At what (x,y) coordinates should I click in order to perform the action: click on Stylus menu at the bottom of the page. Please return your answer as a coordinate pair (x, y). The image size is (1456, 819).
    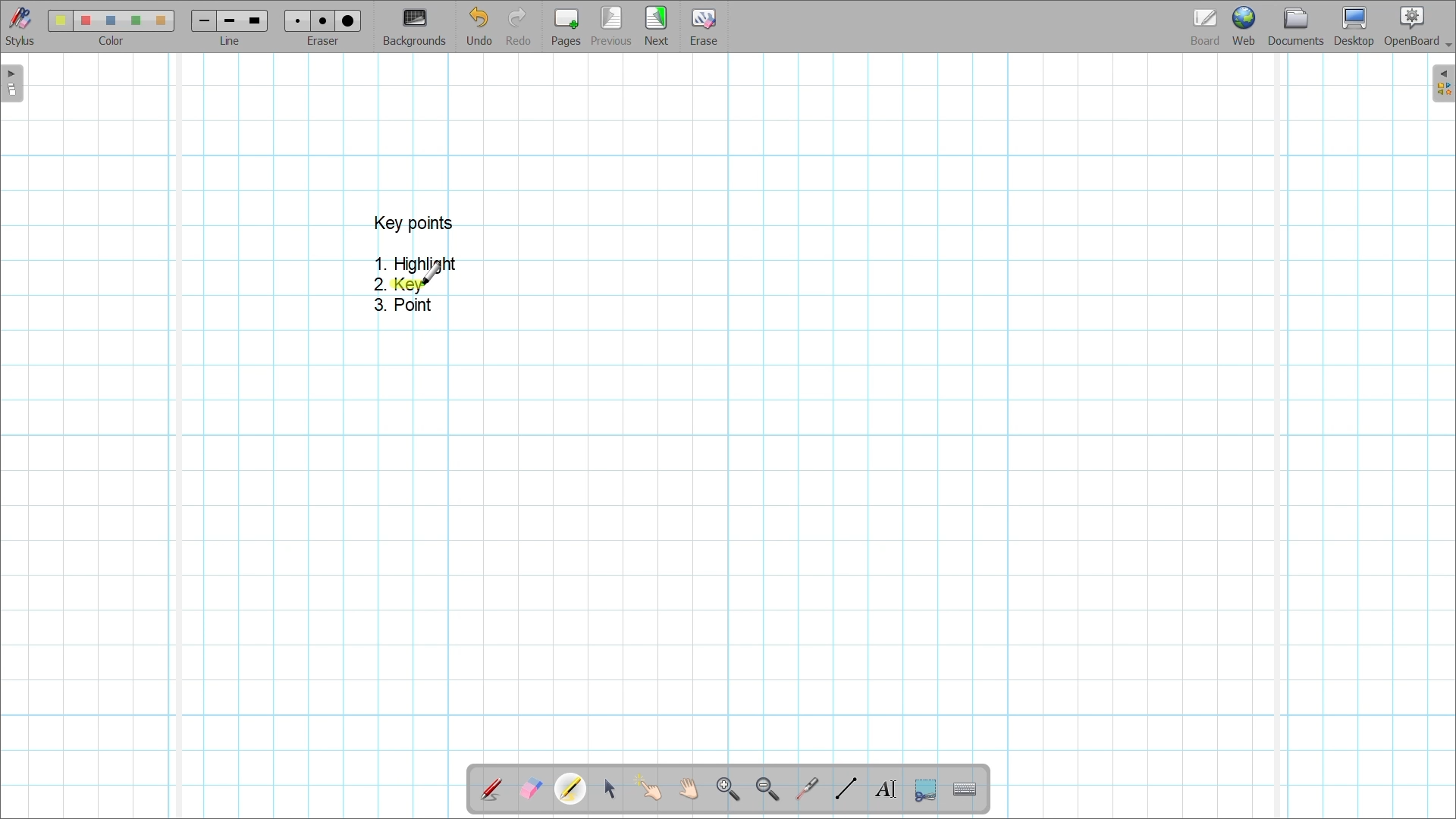
    Looking at the image, I should click on (21, 27).